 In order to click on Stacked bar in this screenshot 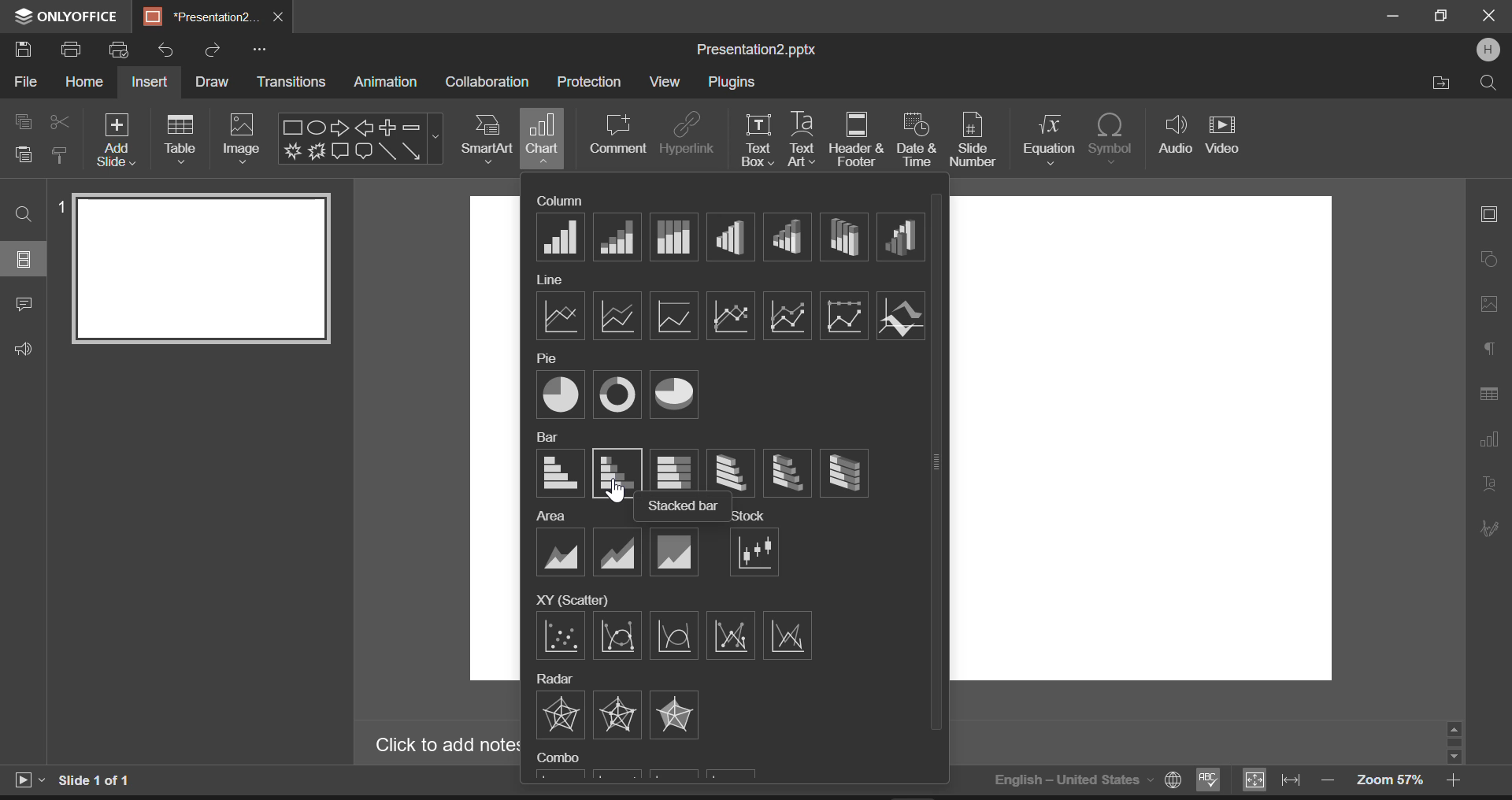, I will do `click(684, 507)`.